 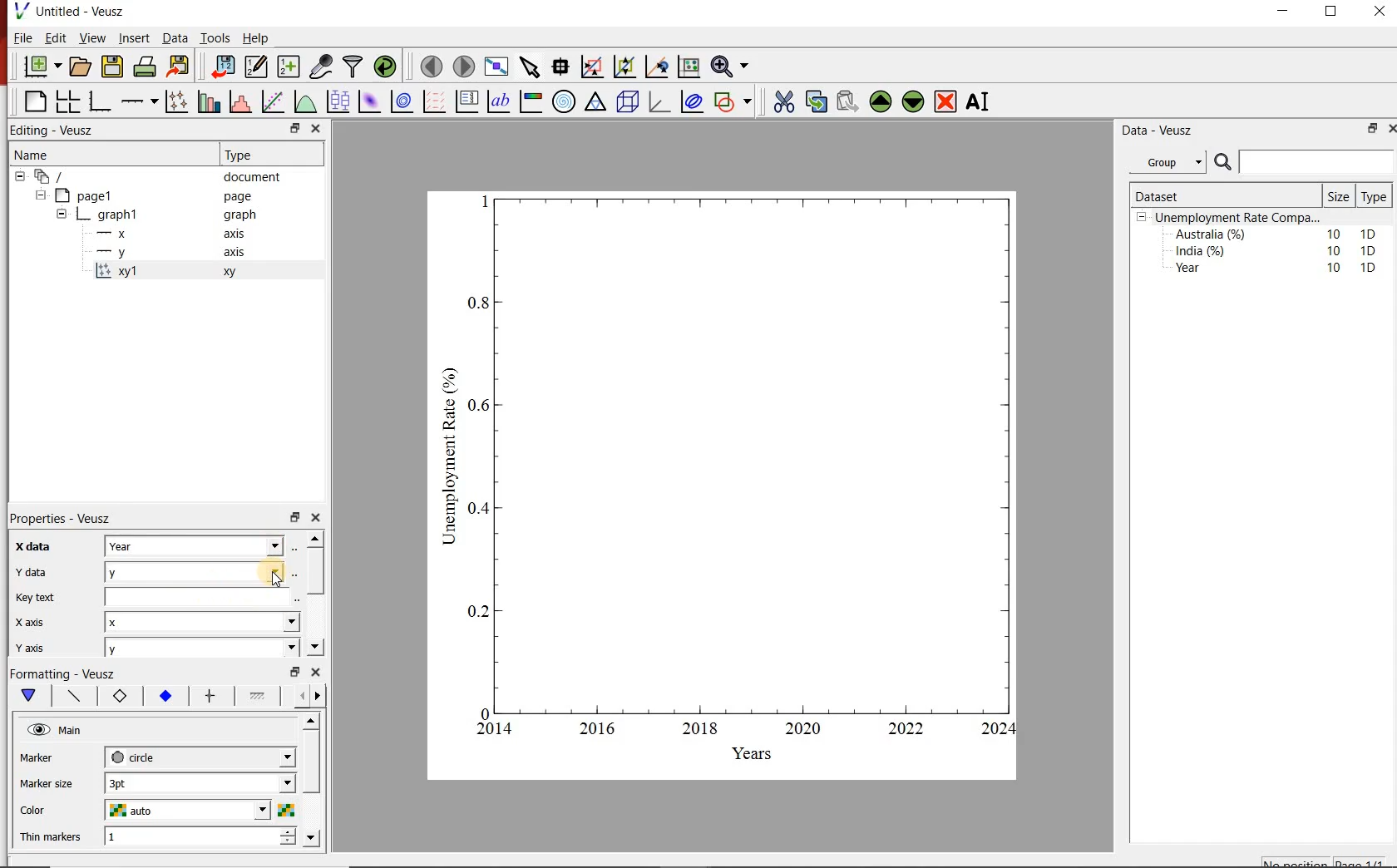 I want to click on choose color, so click(x=285, y=810).